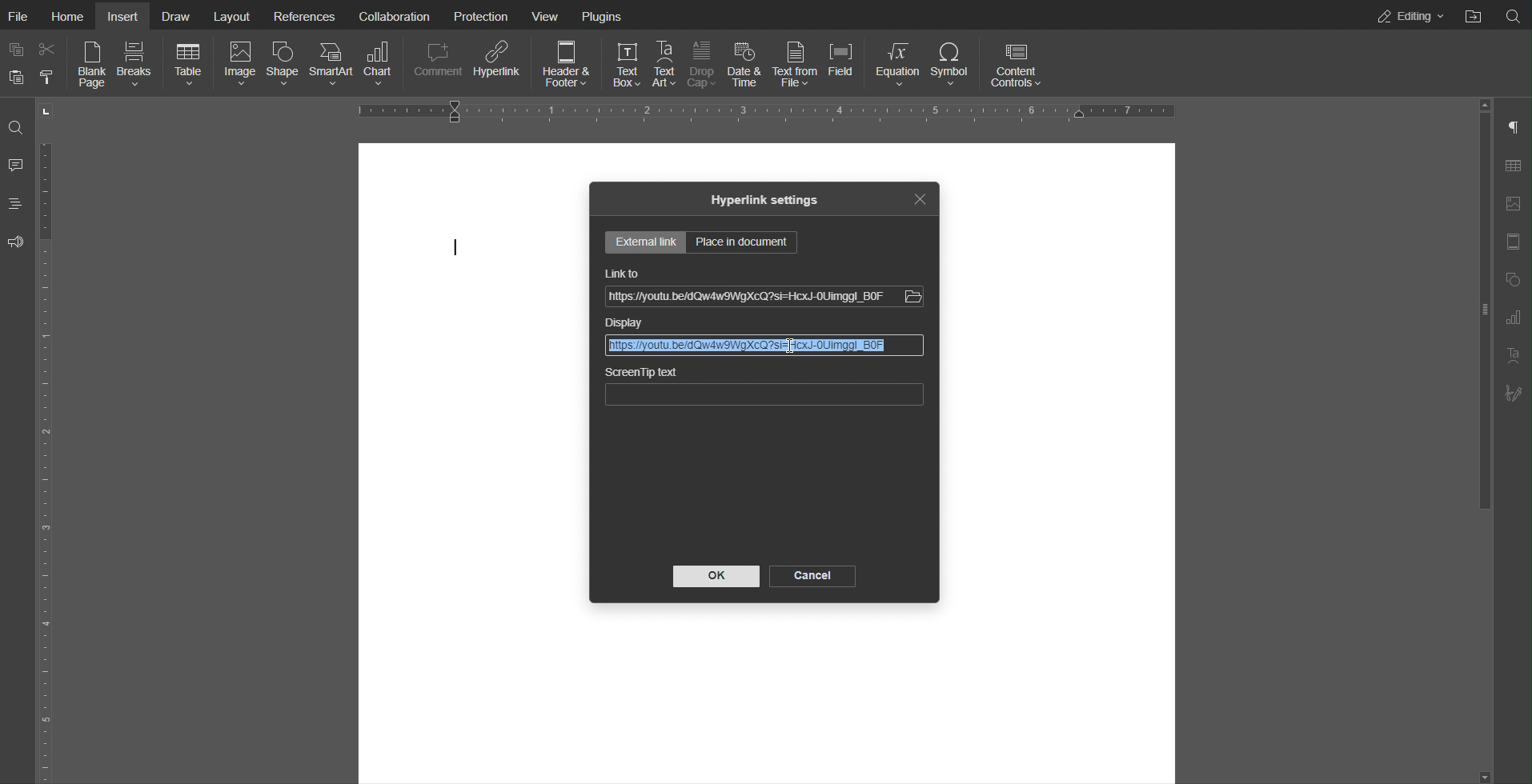 This screenshot has width=1532, height=784. What do you see at coordinates (897, 65) in the screenshot?
I see `Equation` at bounding box center [897, 65].